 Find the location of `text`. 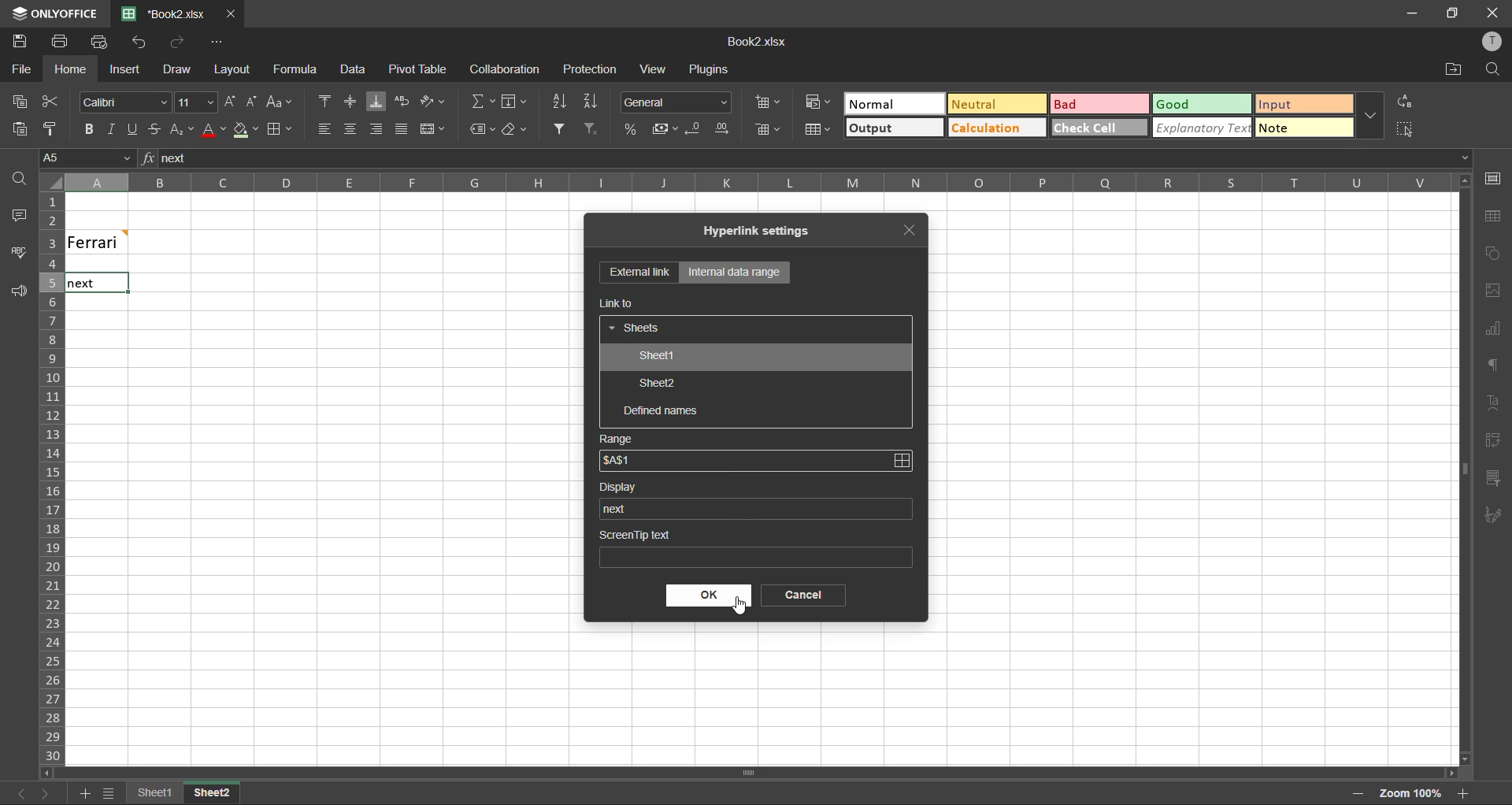

text is located at coordinates (1495, 400).